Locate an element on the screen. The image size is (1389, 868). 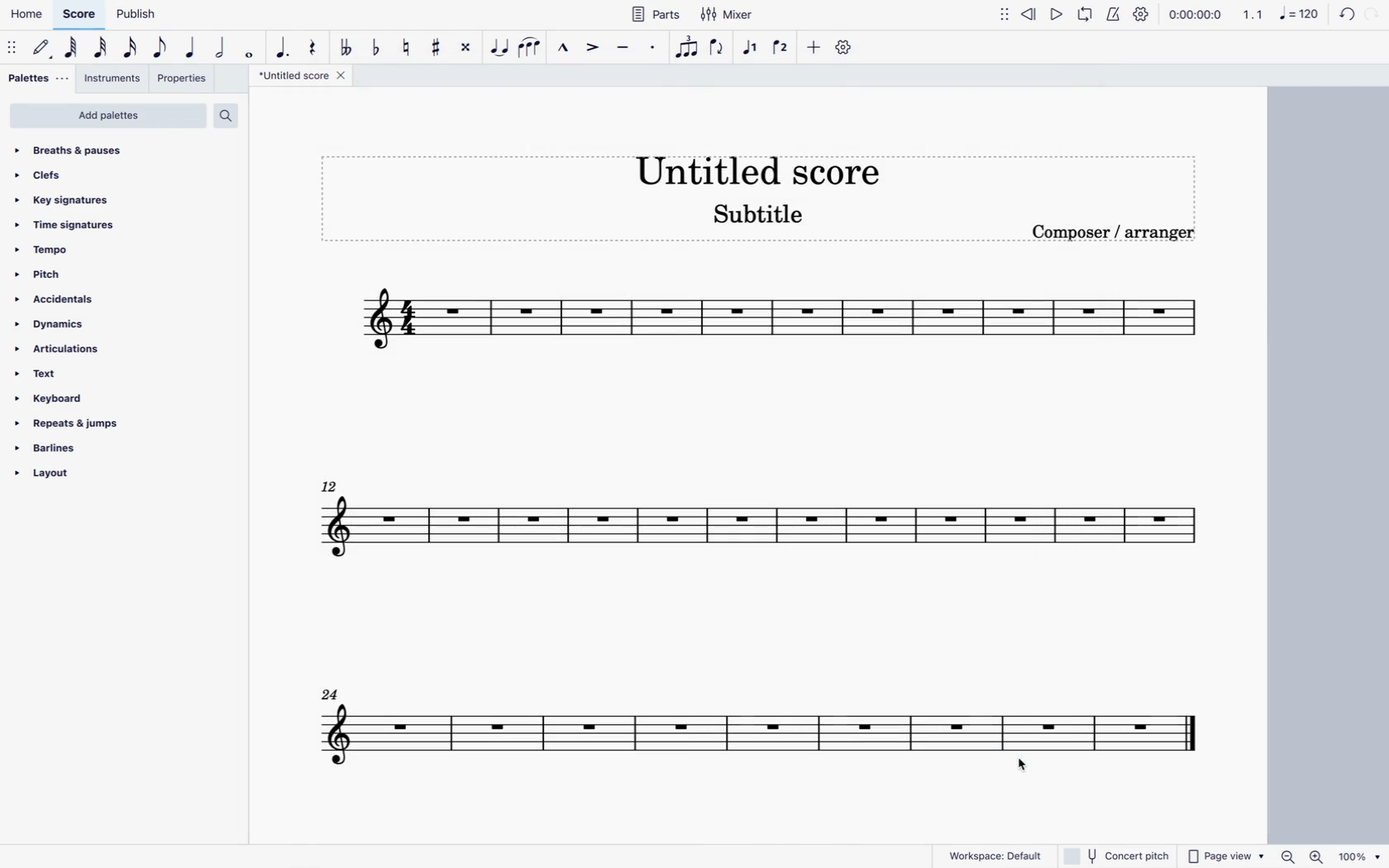
tempo is located at coordinates (45, 249).